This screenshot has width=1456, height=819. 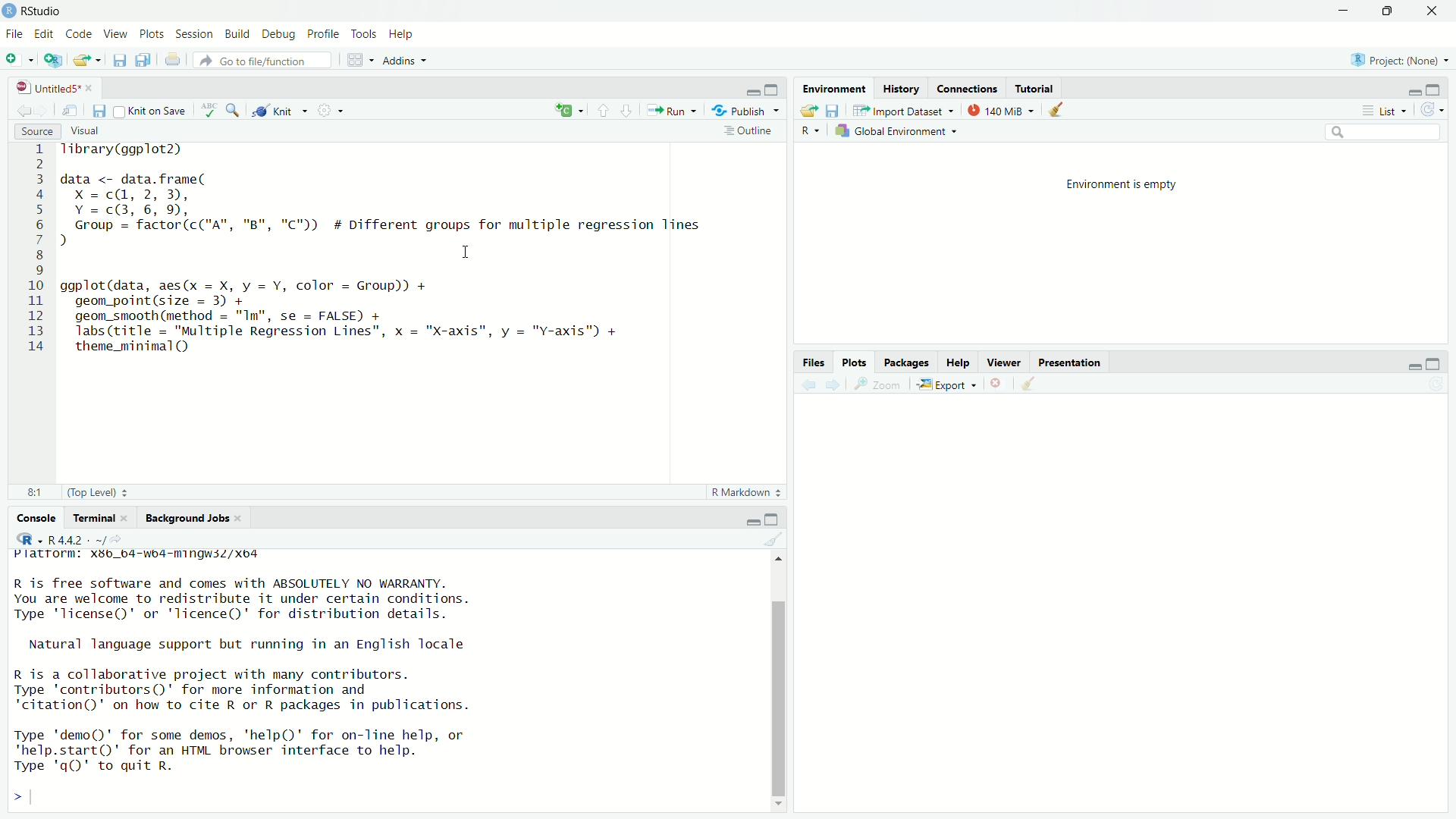 What do you see at coordinates (53, 86) in the screenshot?
I see `| UntitledS* «` at bounding box center [53, 86].